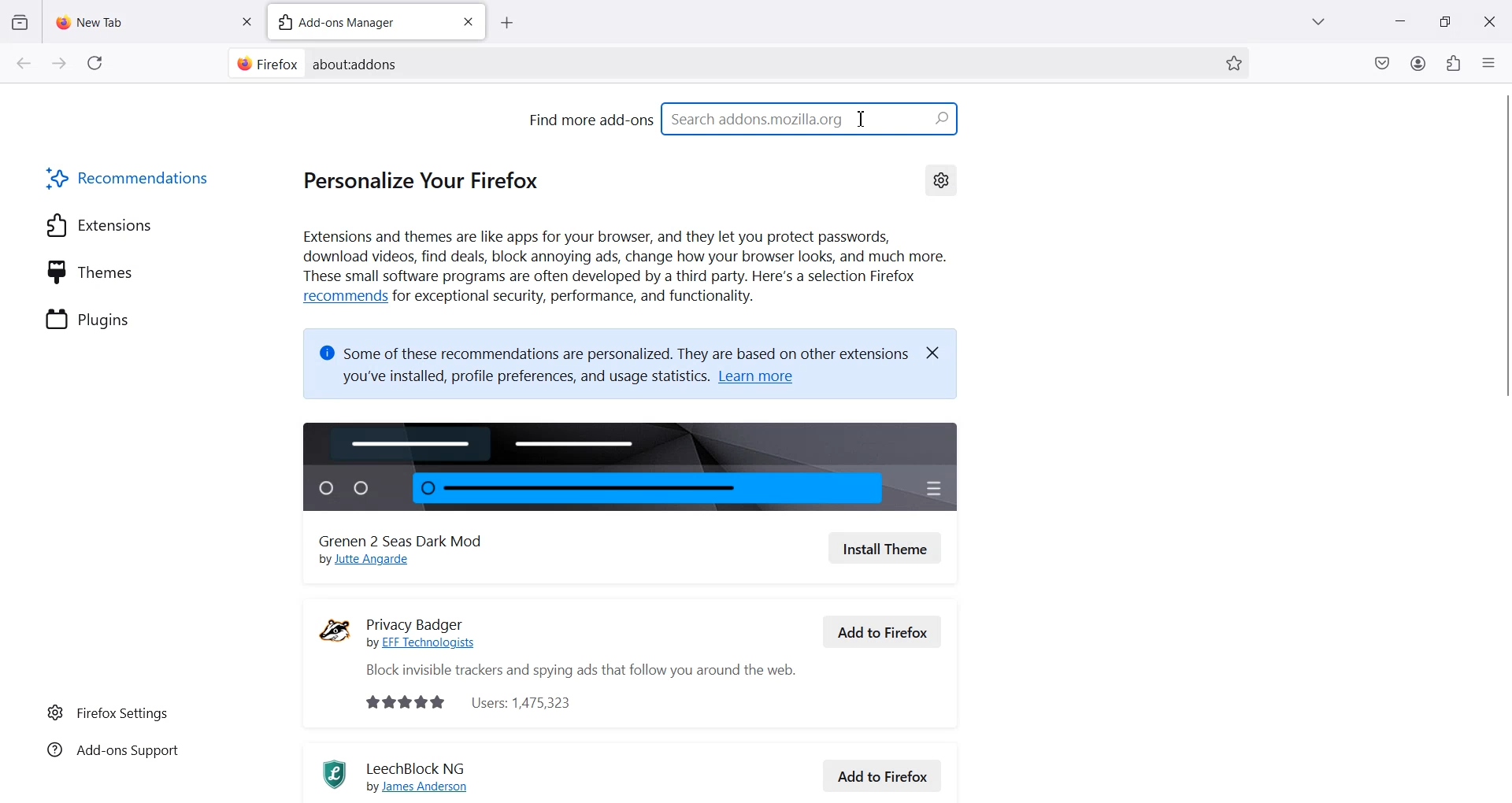  Describe the element at coordinates (624, 257) in the screenshot. I see `Extensions and themes are like apps for your browser, and they let you protect passwords,
download videos, find deals, block annoying ads, change how your browser looks, and much more.
These small software programs are often developed by a third party. Here's a selection Firefox` at that location.